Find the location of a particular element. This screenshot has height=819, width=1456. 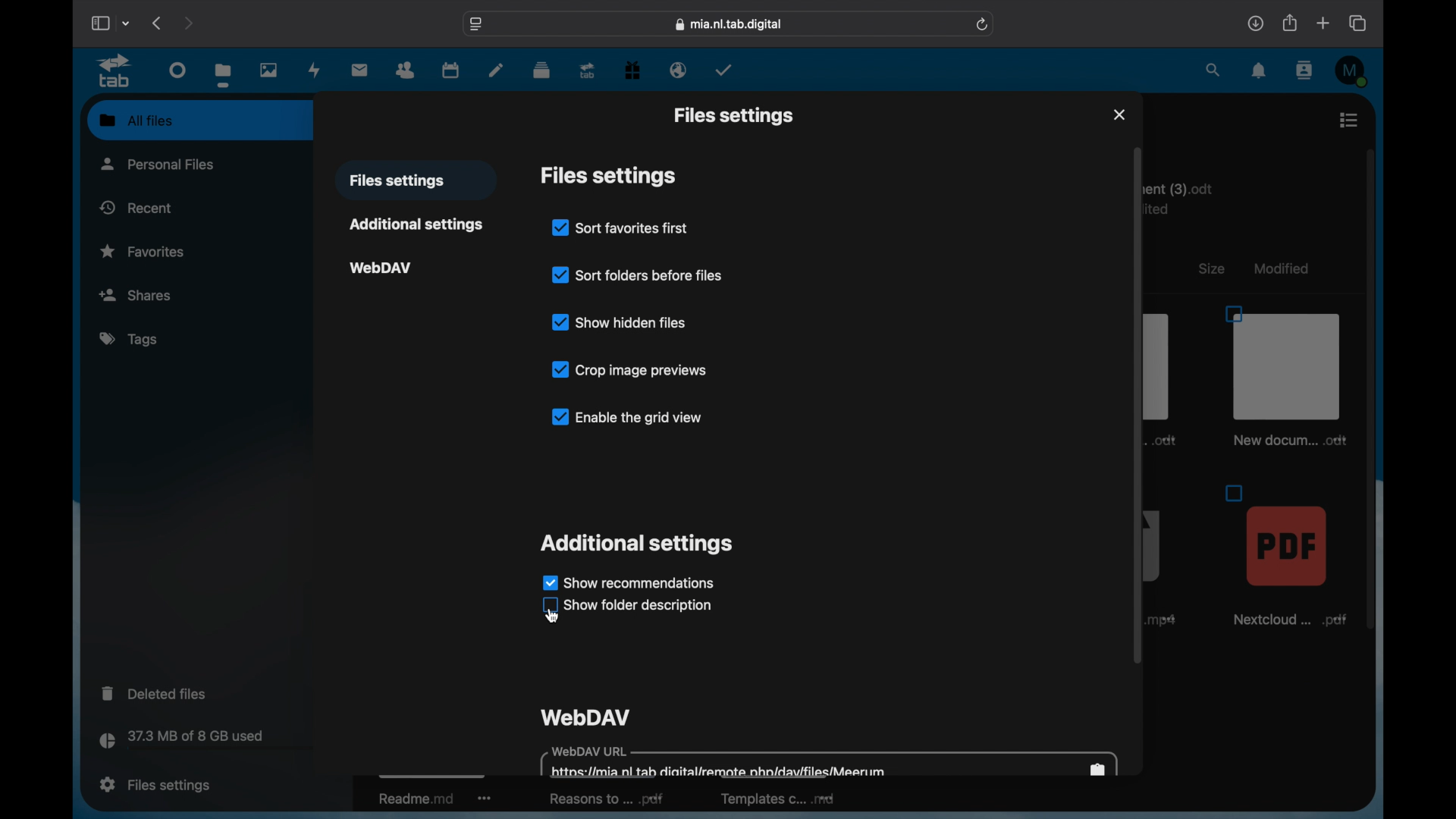

modified is located at coordinates (1284, 268).